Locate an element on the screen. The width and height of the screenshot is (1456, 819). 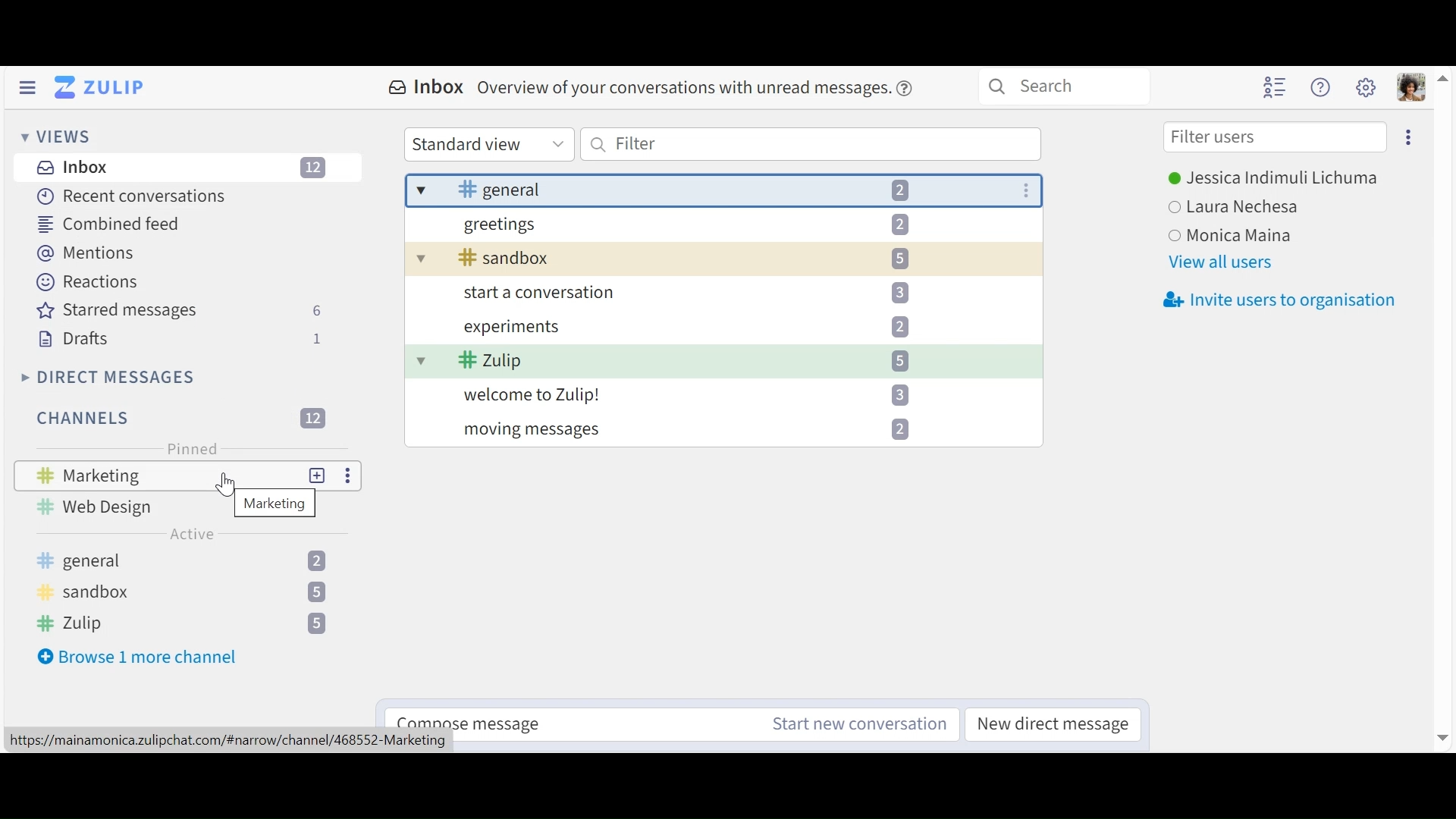
Web design is located at coordinates (104, 507).